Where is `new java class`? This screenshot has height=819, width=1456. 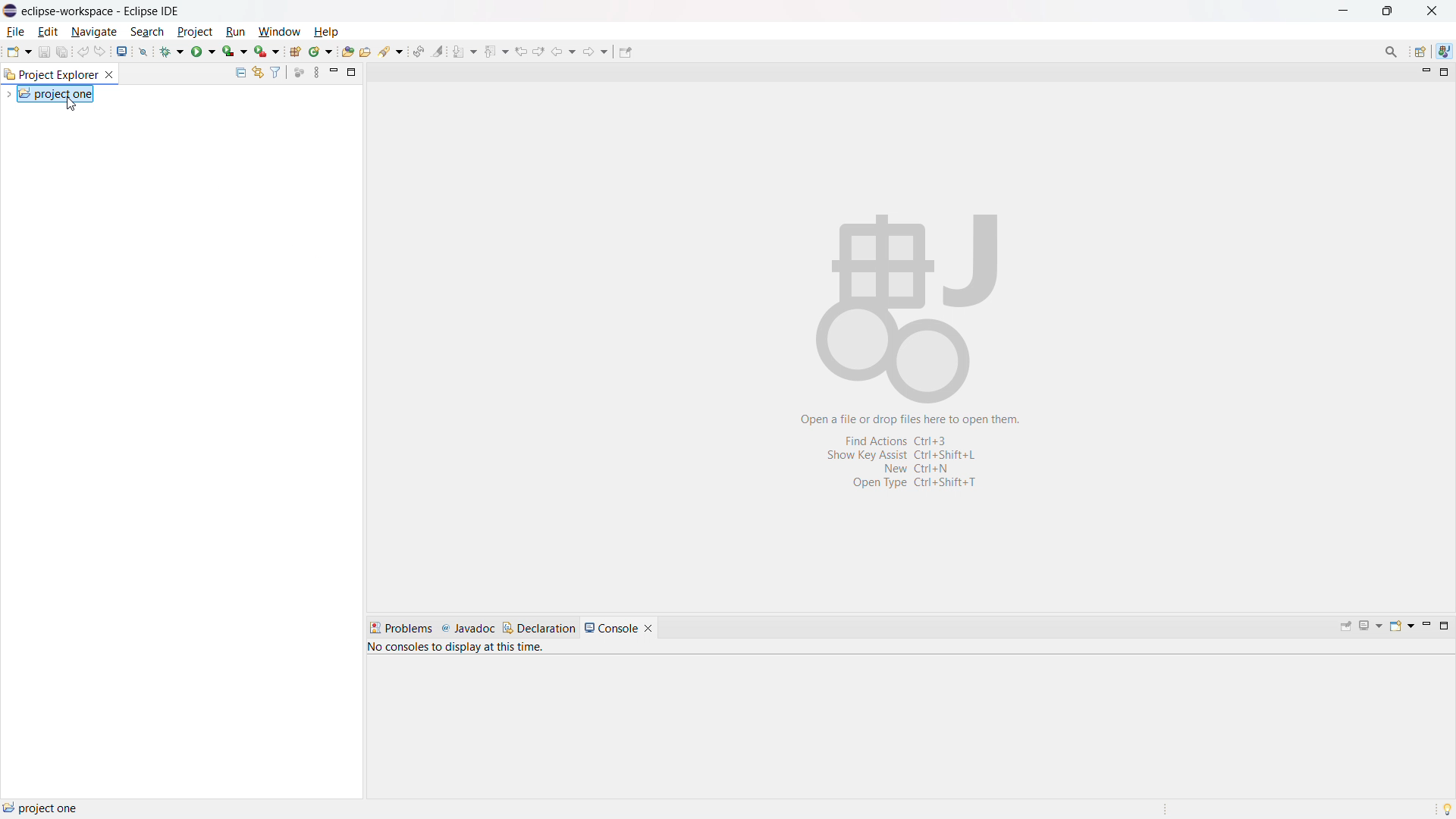
new java class is located at coordinates (321, 52).